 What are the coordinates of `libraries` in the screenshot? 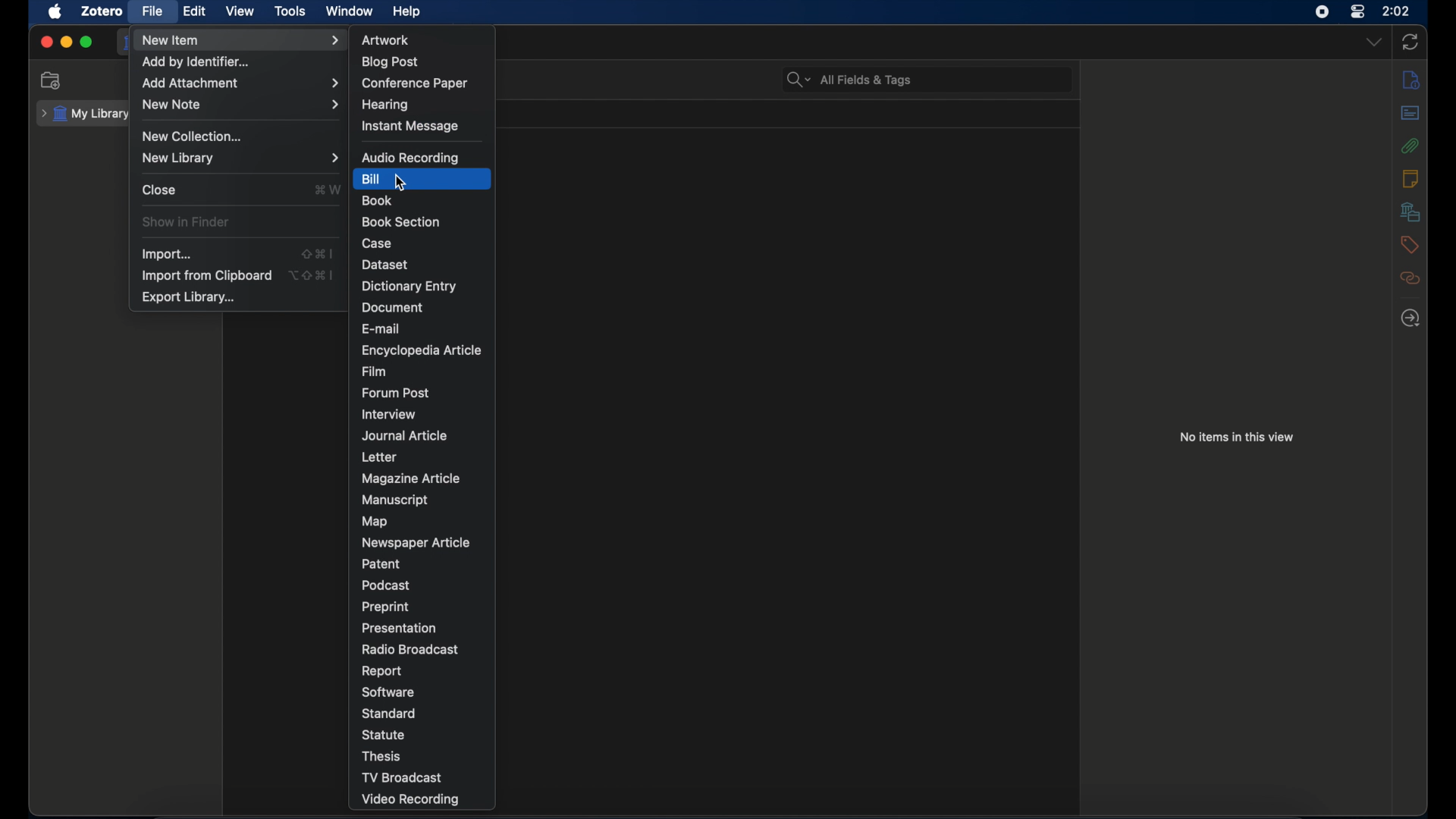 It's located at (1410, 212).